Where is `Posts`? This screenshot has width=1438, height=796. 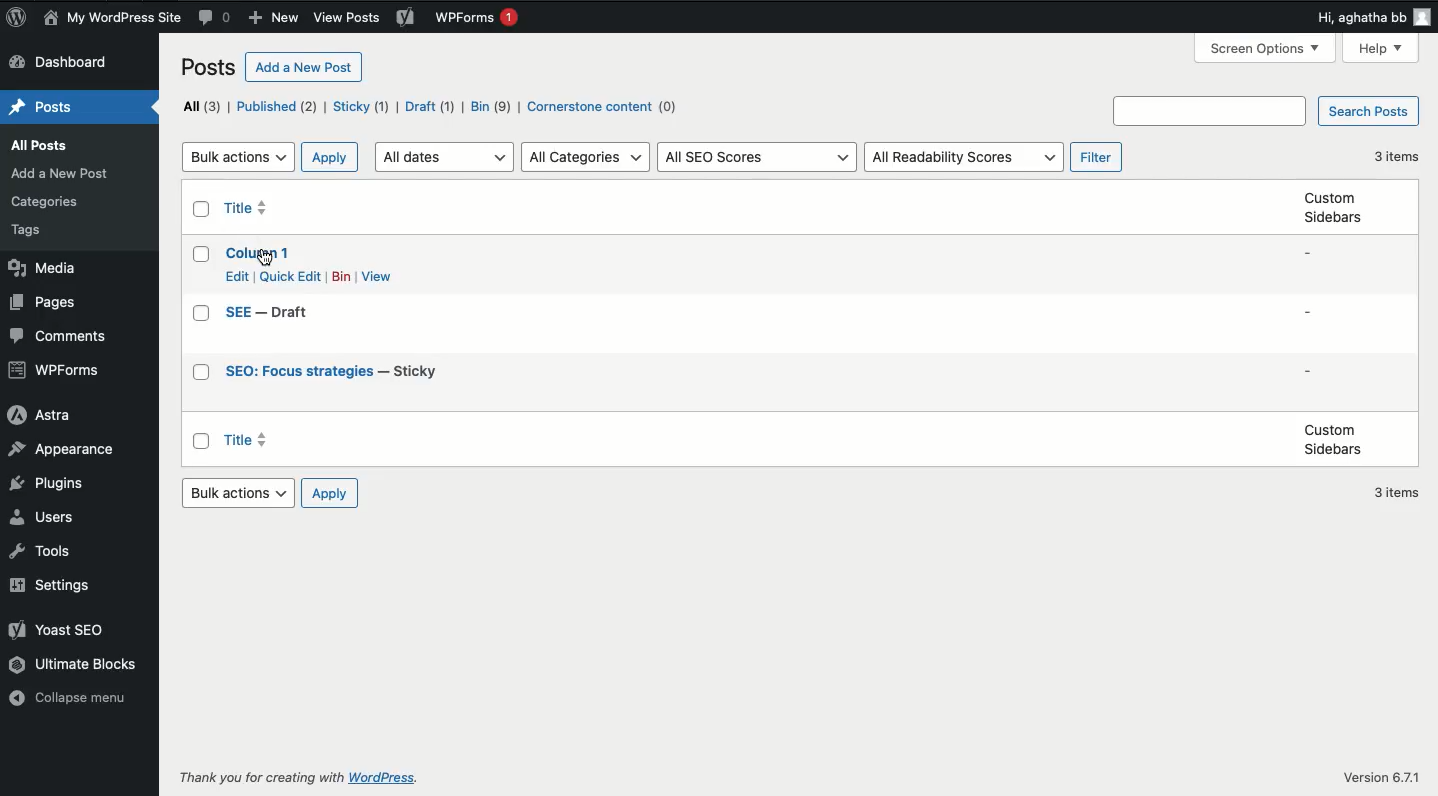 Posts is located at coordinates (209, 67).